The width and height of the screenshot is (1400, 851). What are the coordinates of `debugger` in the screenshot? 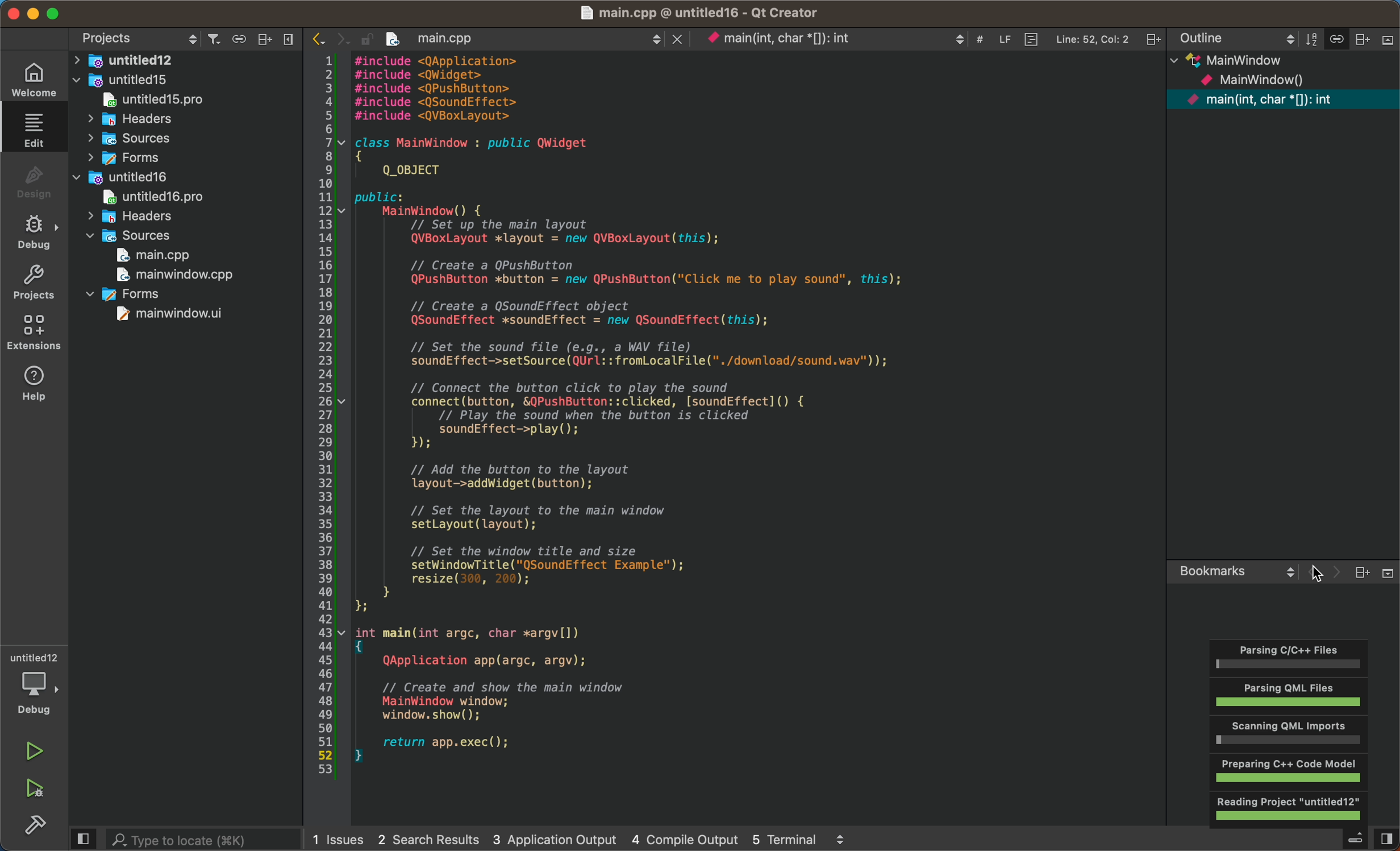 It's located at (37, 684).